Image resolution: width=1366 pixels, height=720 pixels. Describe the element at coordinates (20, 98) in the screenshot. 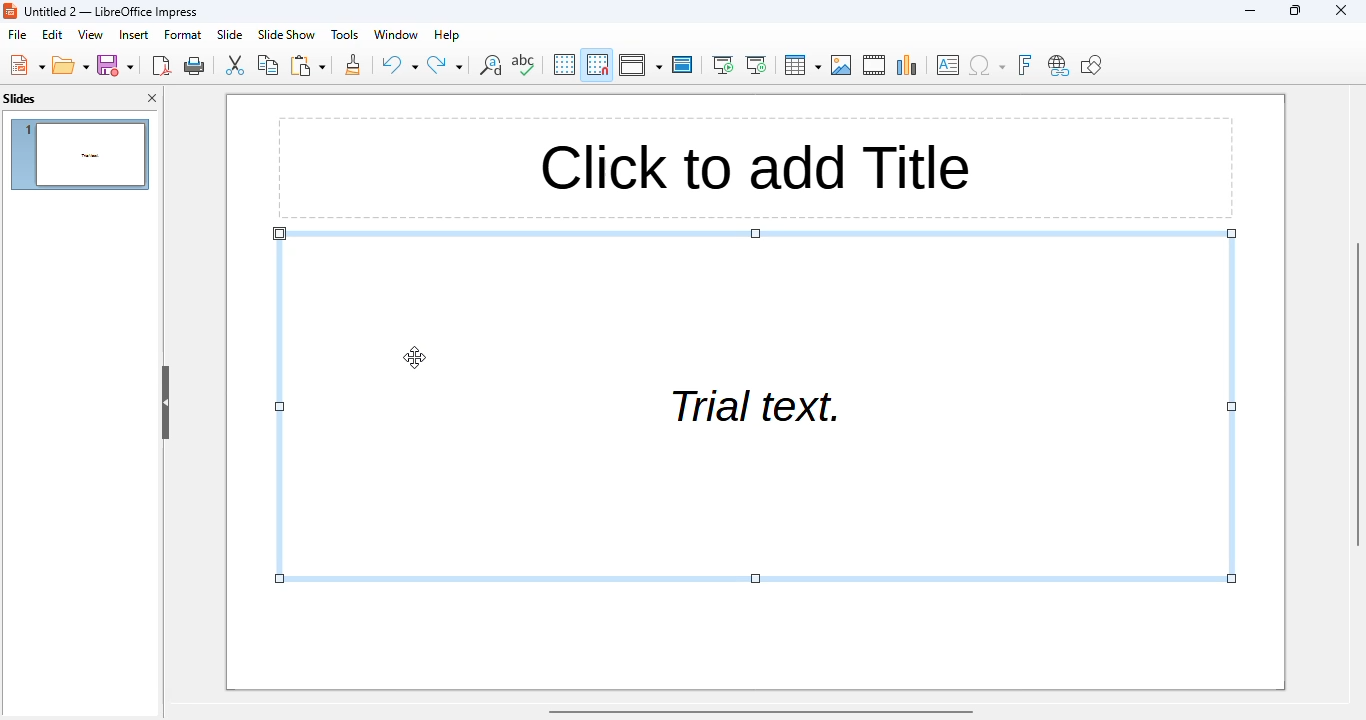

I see `slides` at that location.